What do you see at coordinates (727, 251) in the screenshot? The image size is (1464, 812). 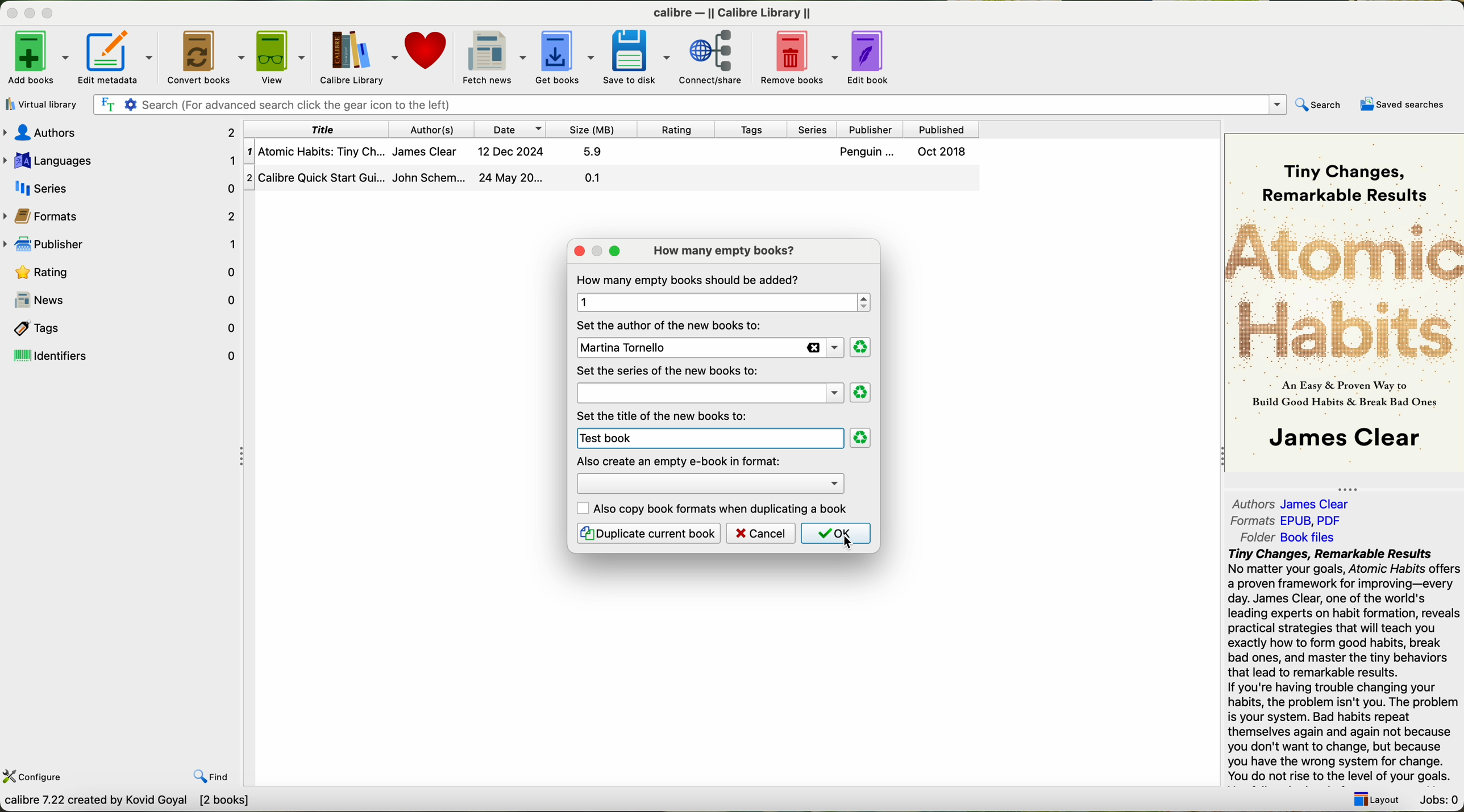 I see `how many empty books?` at bounding box center [727, 251].